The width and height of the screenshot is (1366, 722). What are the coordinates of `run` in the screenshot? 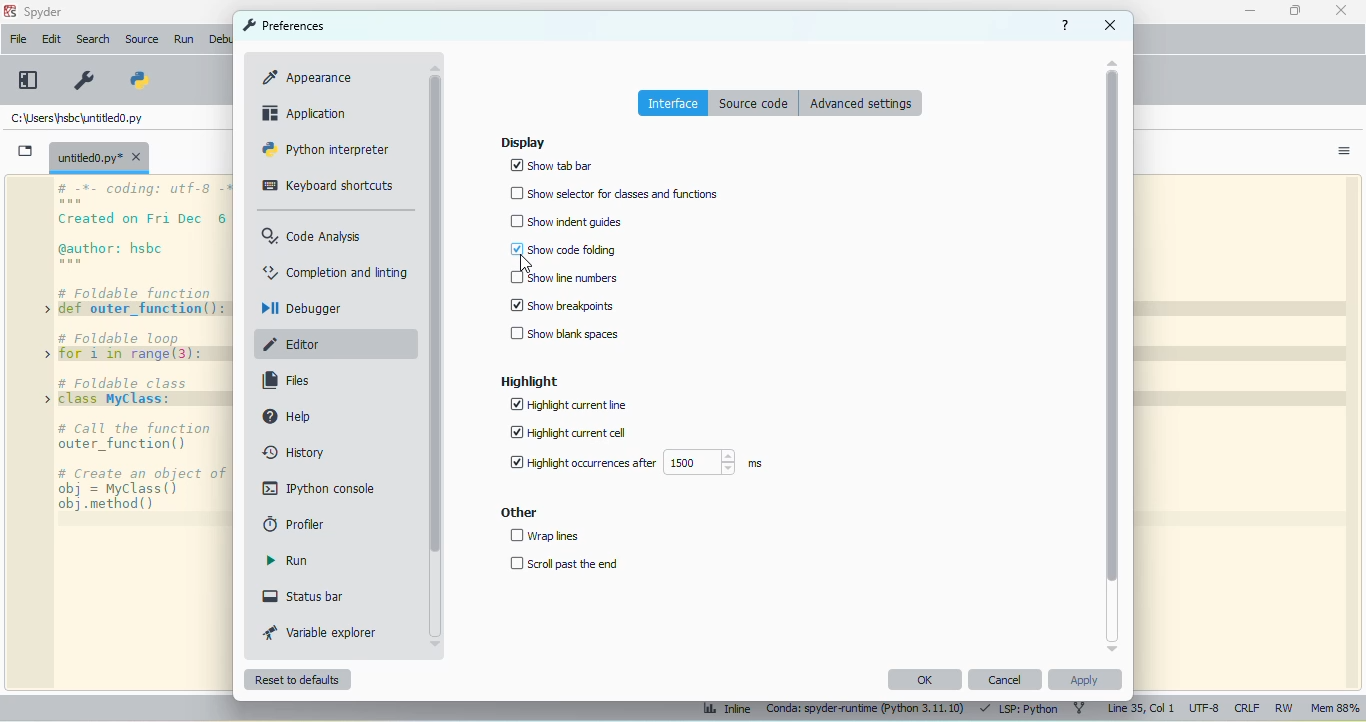 It's located at (184, 40).